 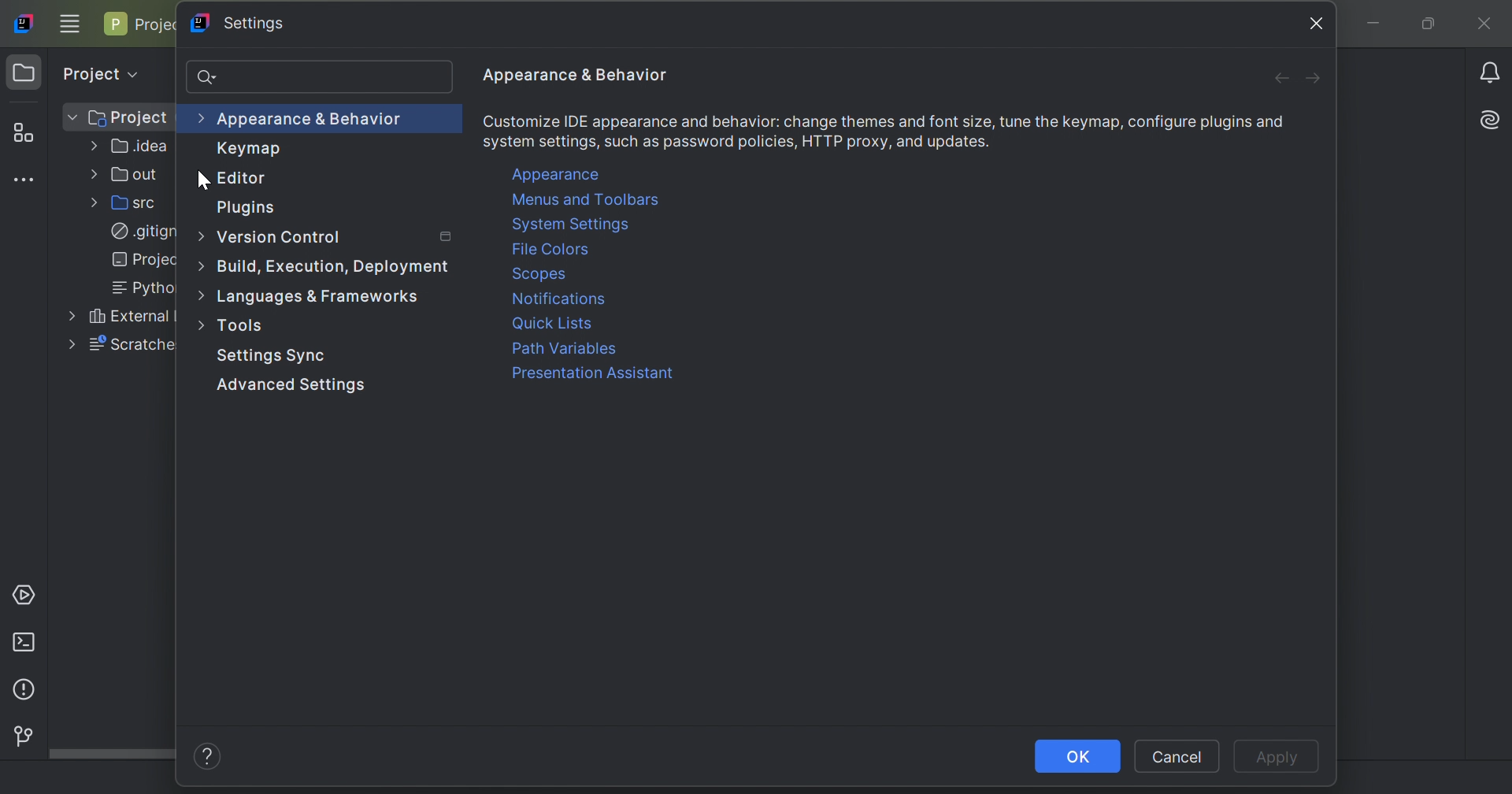 I want to click on Project, so click(x=117, y=118).